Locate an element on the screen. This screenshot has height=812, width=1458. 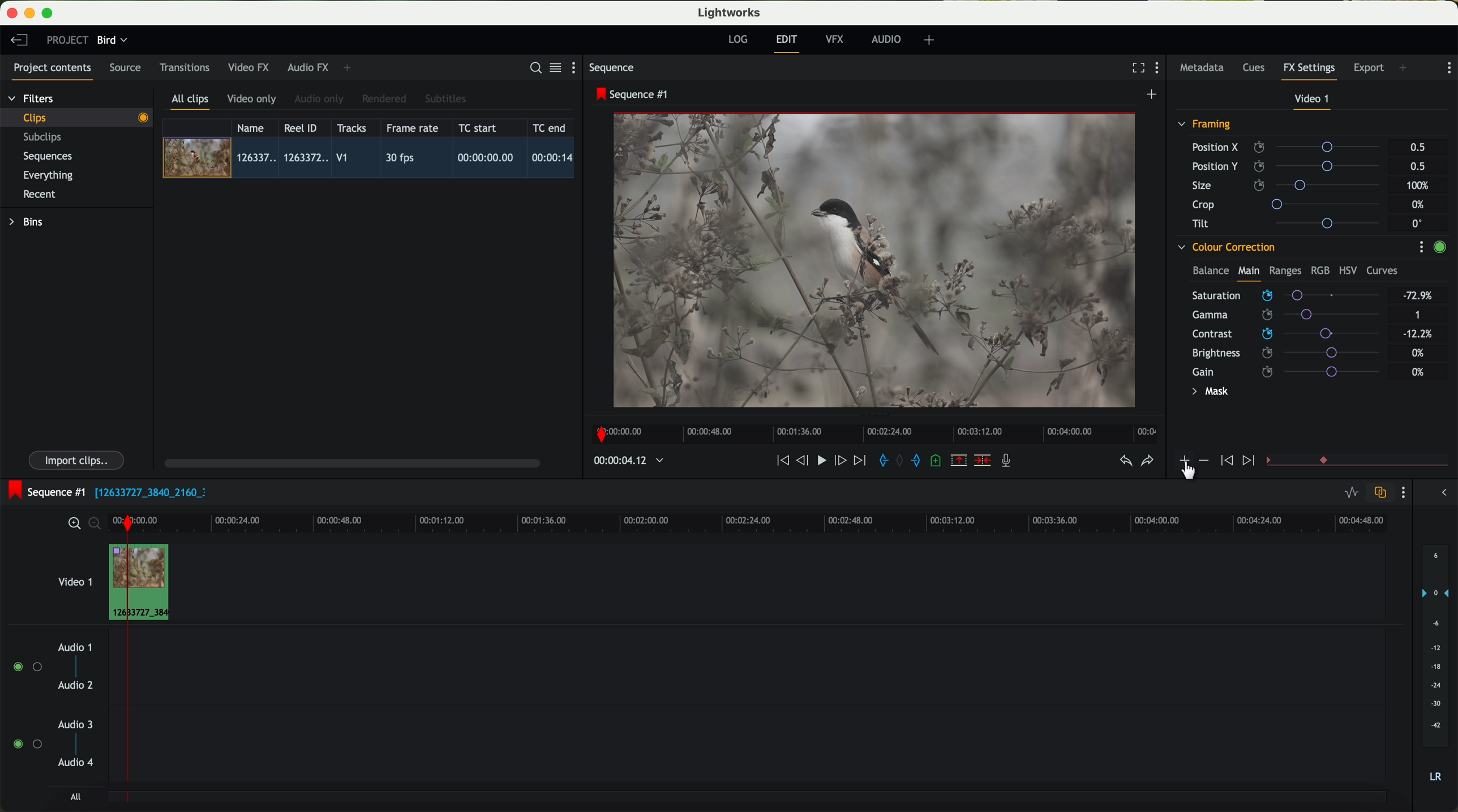
audio 3 is located at coordinates (70, 724).